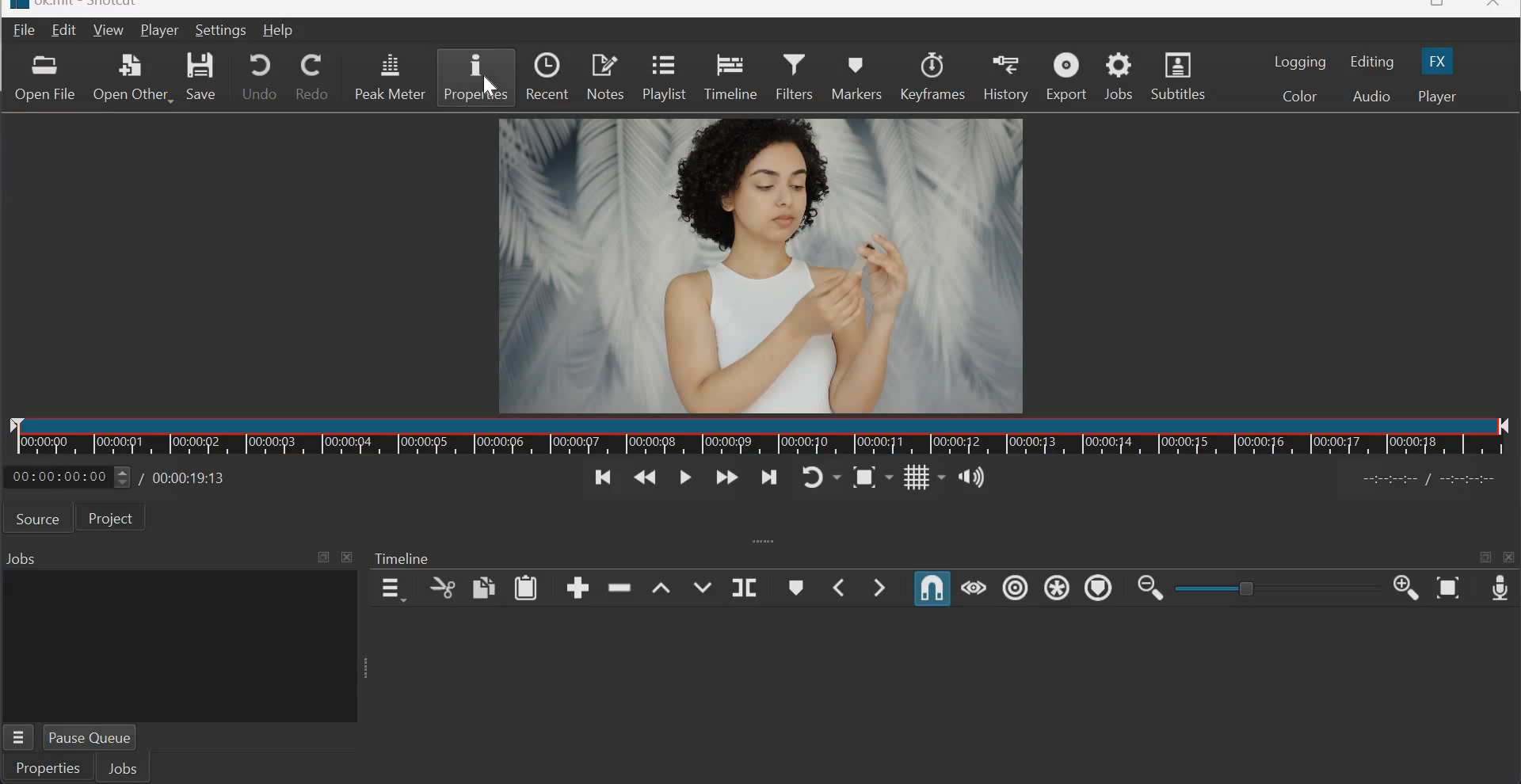  What do you see at coordinates (1056, 587) in the screenshot?
I see `Ripple all tracks` at bounding box center [1056, 587].